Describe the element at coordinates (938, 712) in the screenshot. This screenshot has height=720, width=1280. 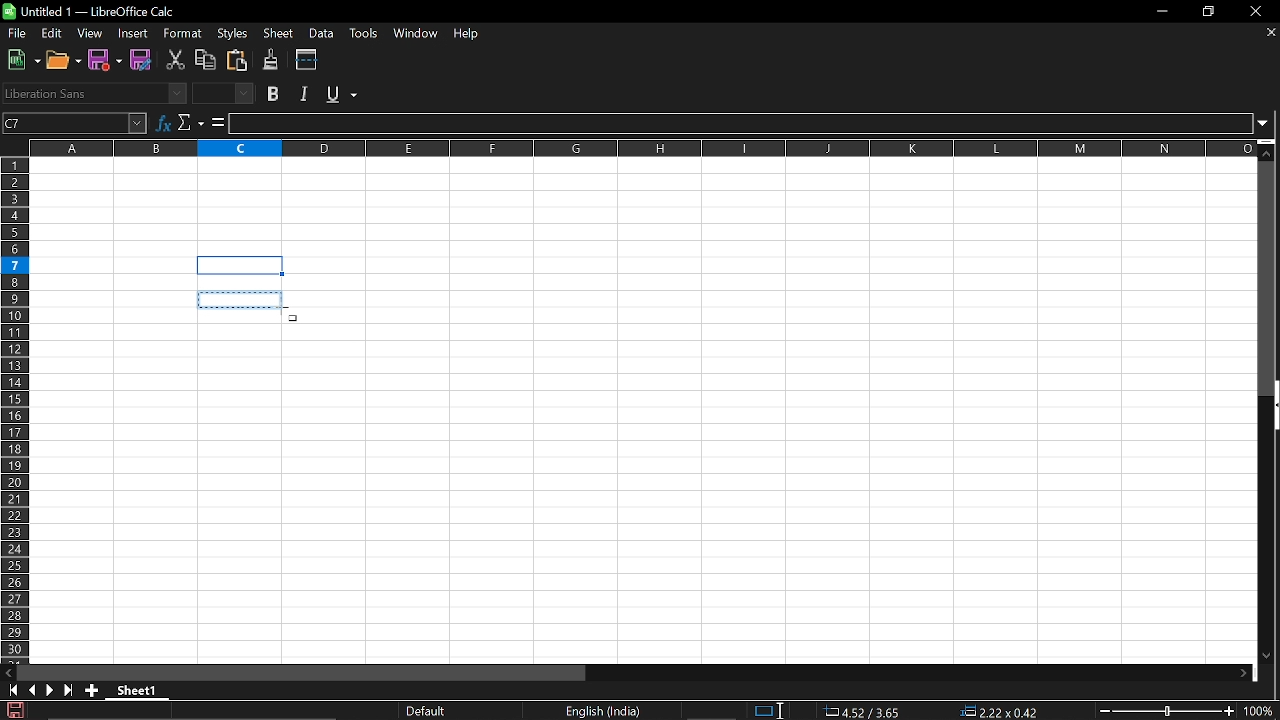
I see `Formula standard selection` at that location.